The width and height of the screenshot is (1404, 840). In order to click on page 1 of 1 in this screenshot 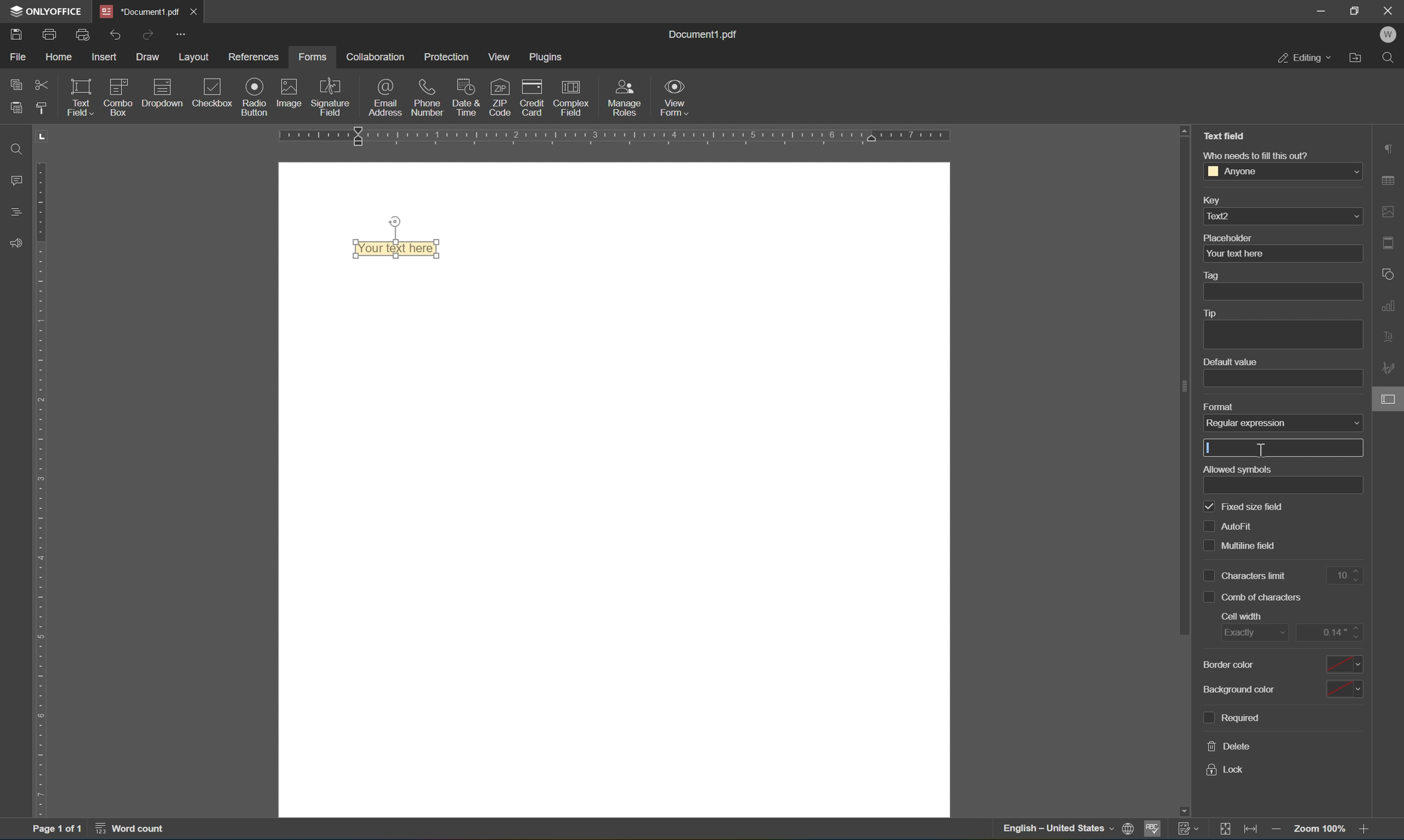, I will do `click(57, 831)`.